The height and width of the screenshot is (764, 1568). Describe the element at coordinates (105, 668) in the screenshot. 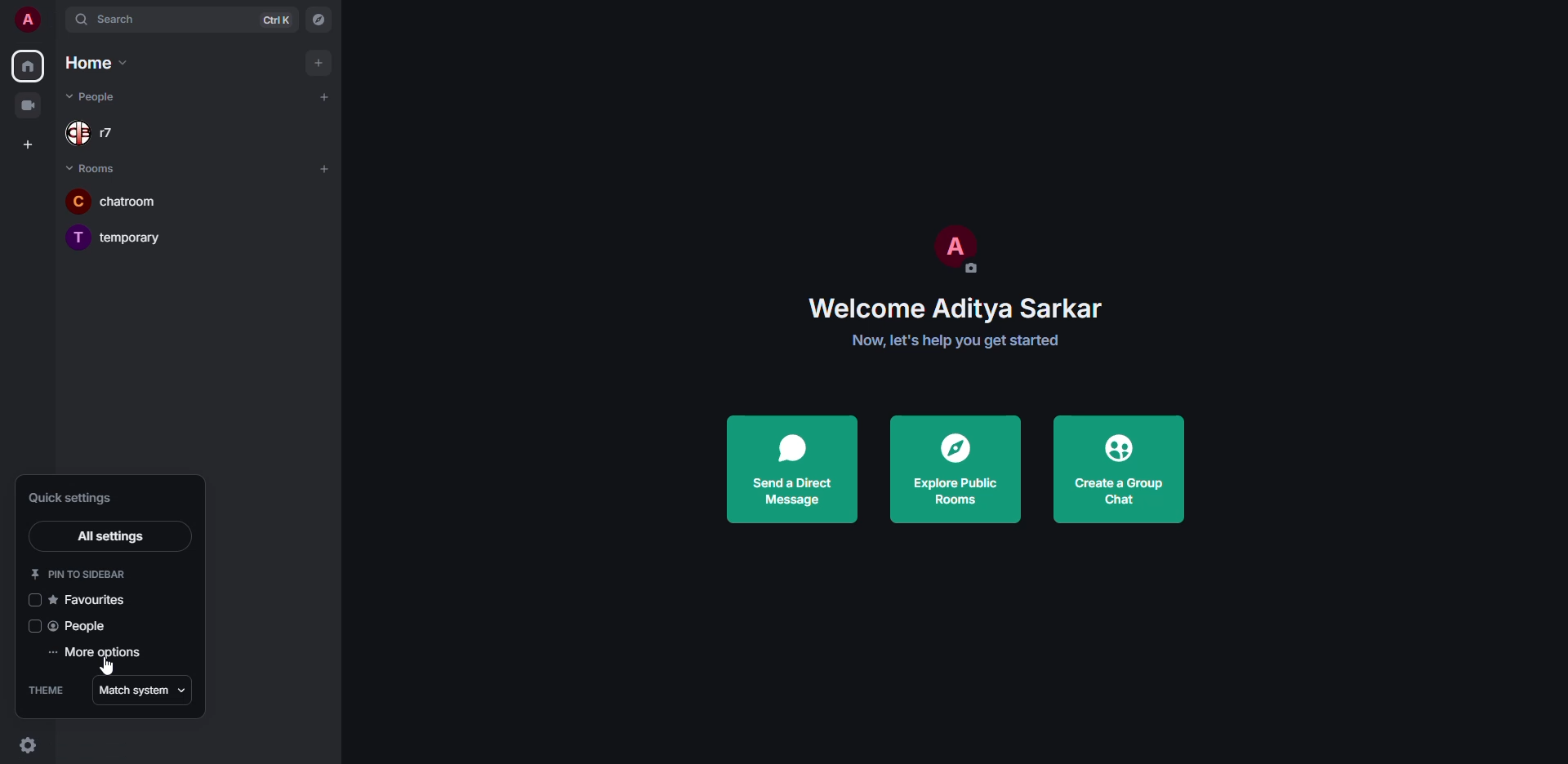

I see `cursor` at that location.